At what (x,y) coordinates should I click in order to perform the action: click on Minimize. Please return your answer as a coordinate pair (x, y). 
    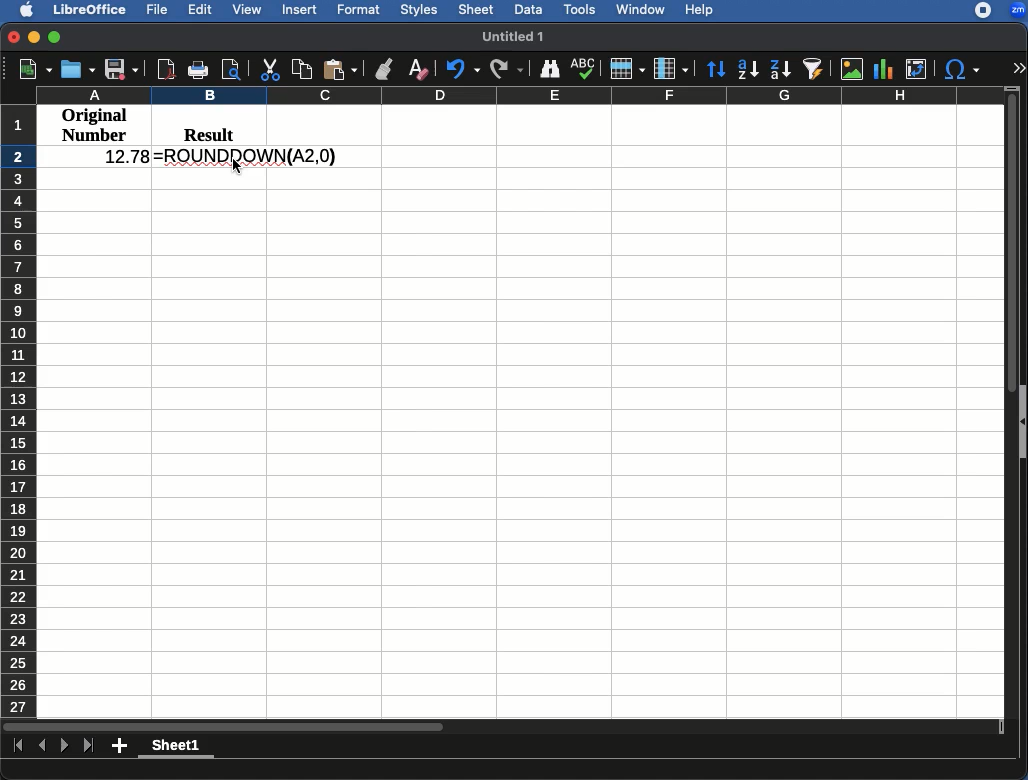
    Looking at the image, I should click on (35, 39).